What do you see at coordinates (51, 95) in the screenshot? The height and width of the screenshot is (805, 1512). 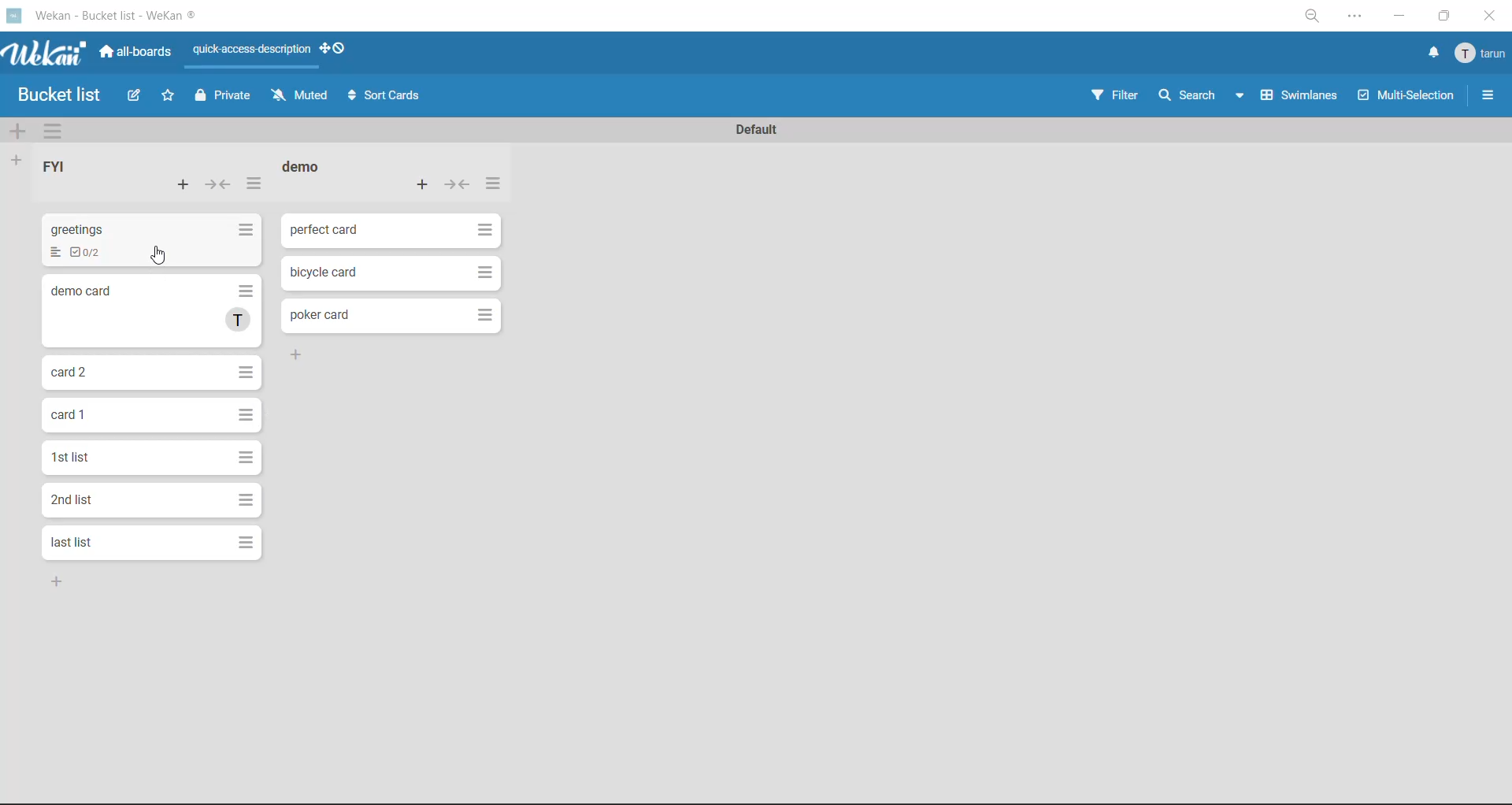 I see `board title` at bounding box center [51, 95].